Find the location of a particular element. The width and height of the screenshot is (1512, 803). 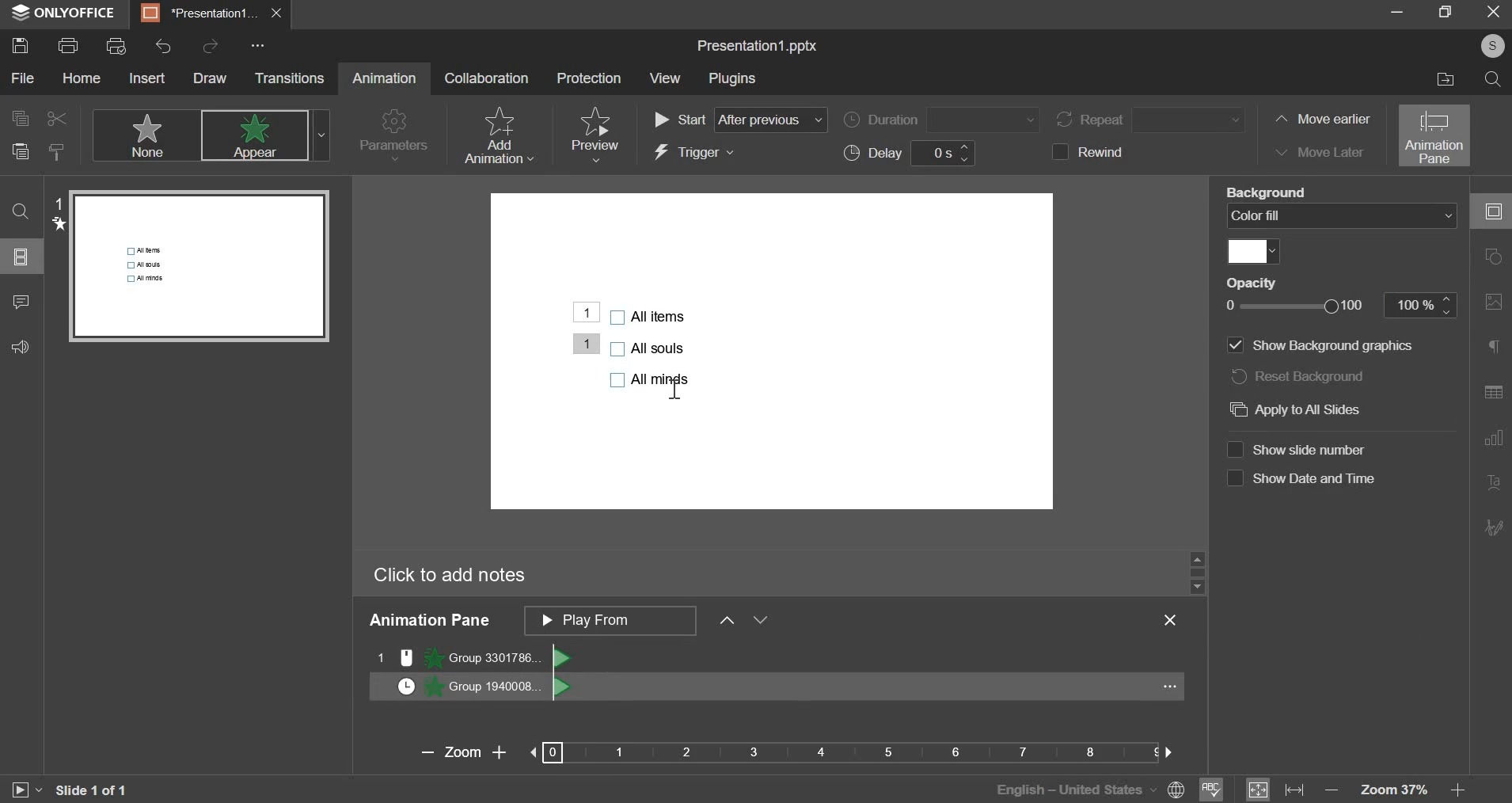

save is located at coordinates (19, 45).